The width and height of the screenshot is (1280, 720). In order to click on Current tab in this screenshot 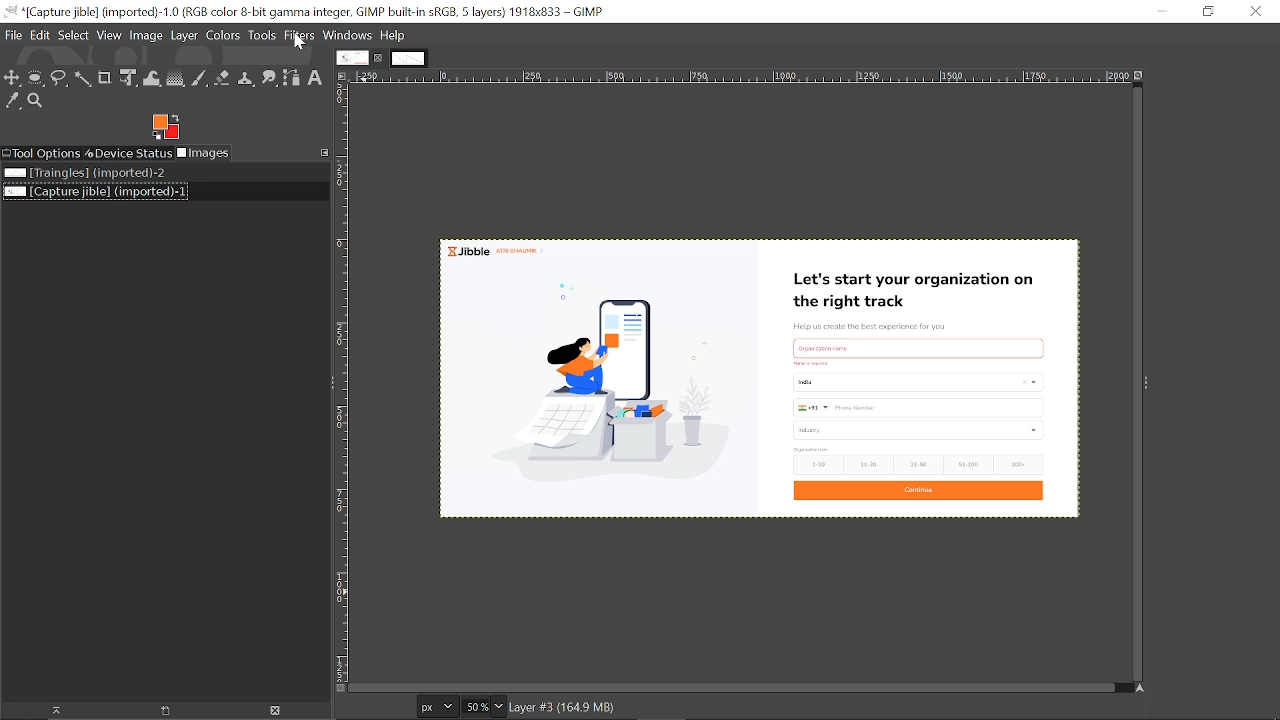, I will do `click(351, 58)`.